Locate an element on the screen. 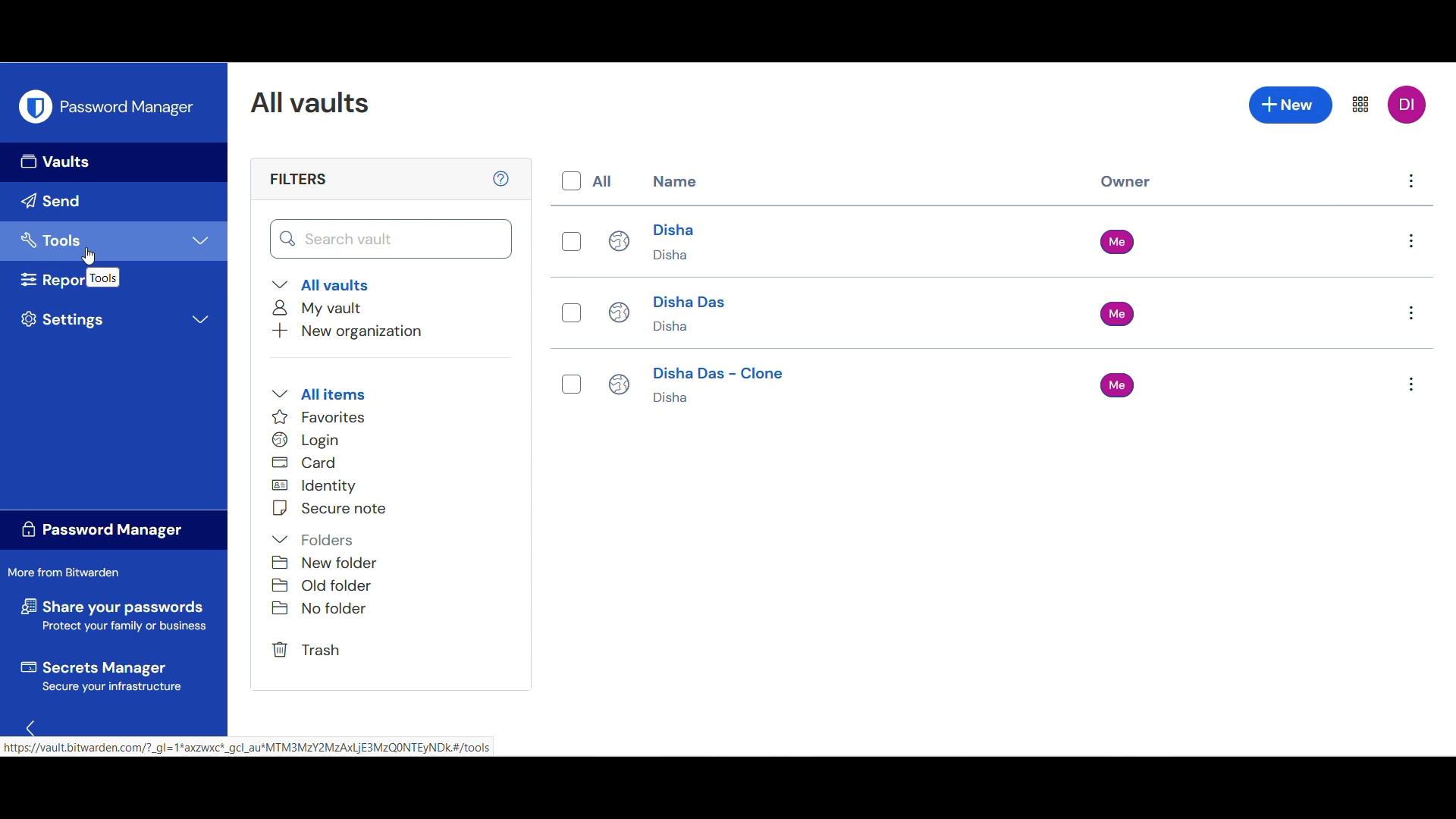 The width and height of the screenshot is (1456, 819). Page title - All vaults is located at coordinates (315, 103).